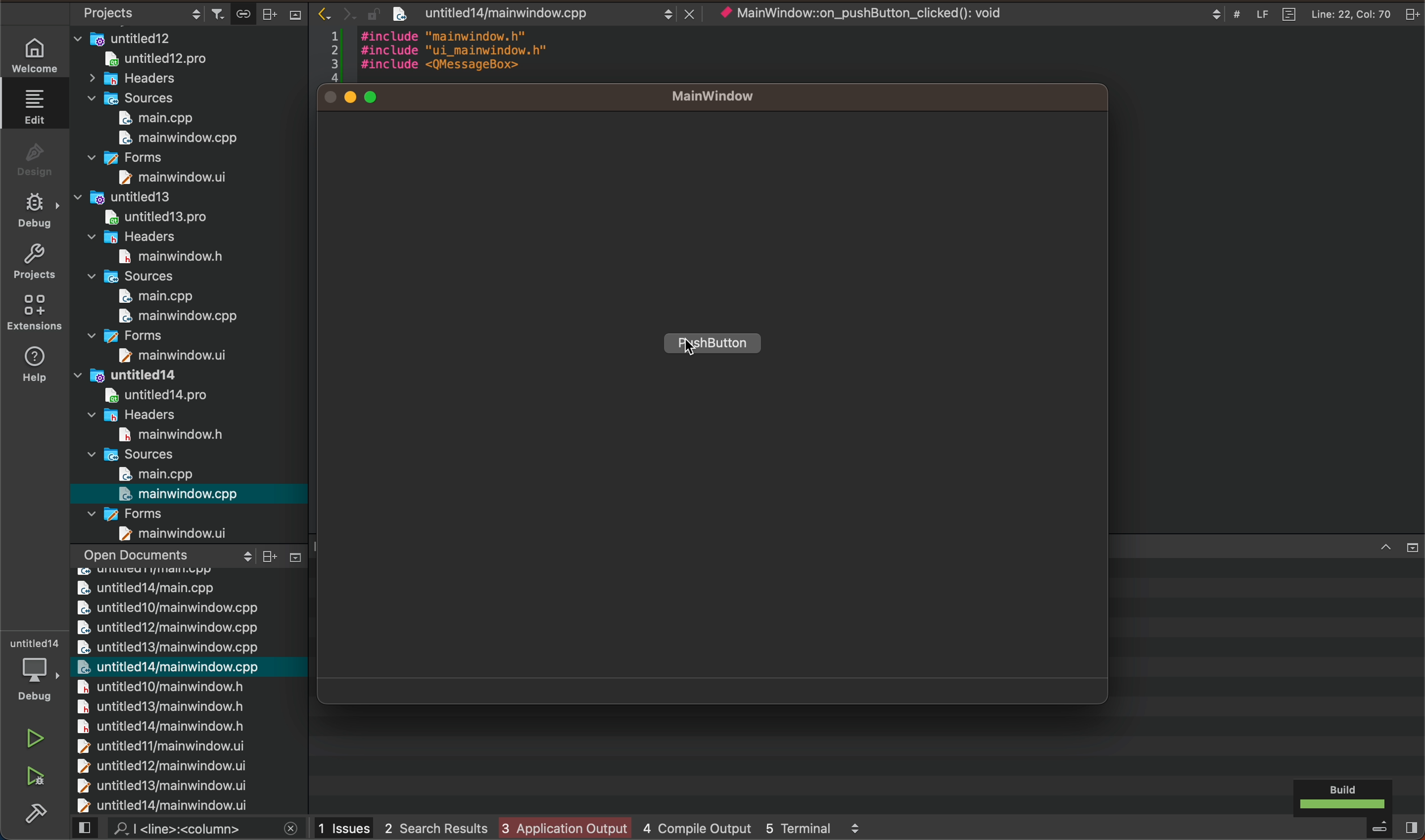 The image size is (1425, 840). Describe the element at coordinates (36, 58) in the screenshot. I see `WELCOME` at that location.